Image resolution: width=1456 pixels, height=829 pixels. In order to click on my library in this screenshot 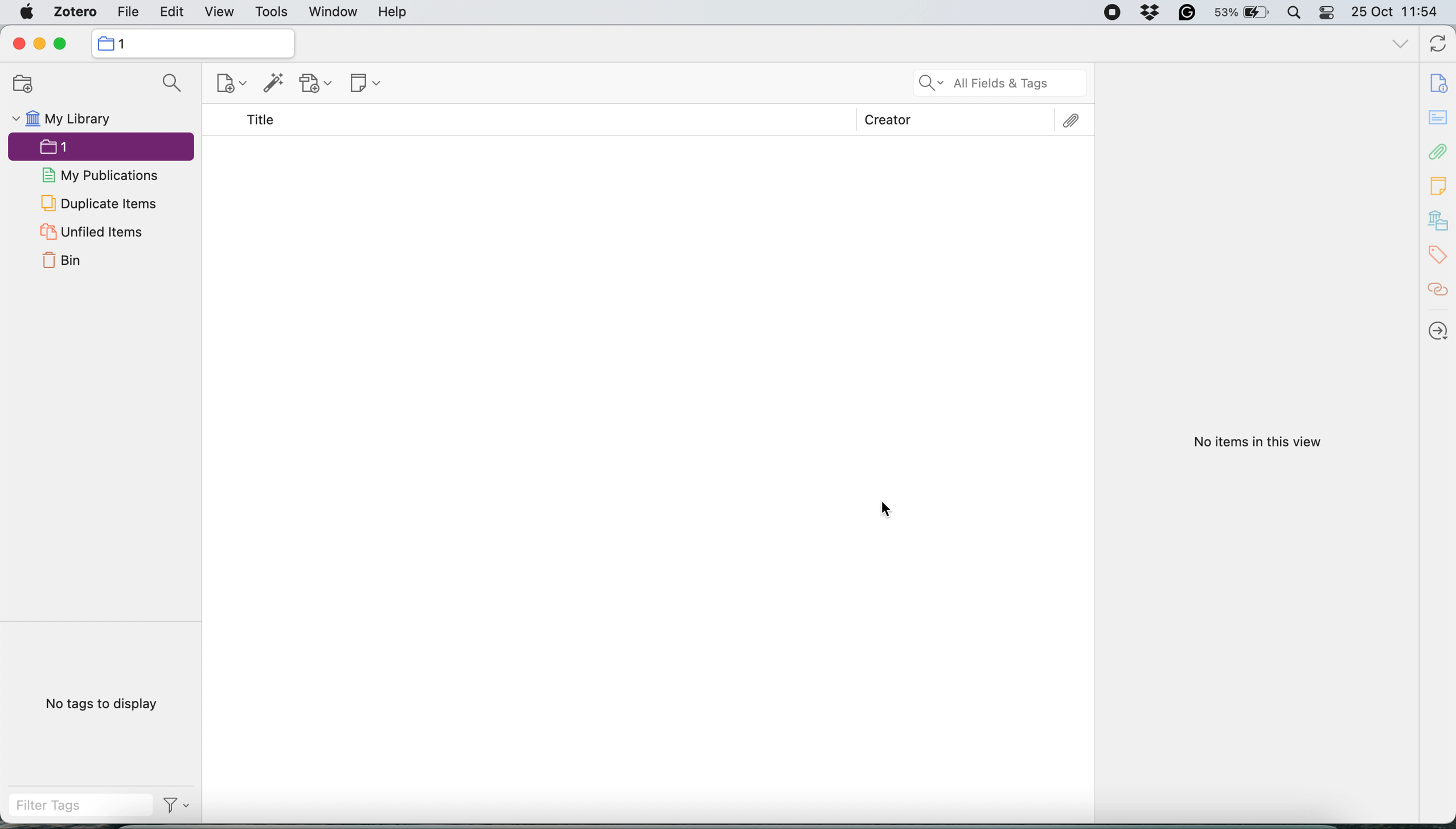, I will do `click(99, 117)`.